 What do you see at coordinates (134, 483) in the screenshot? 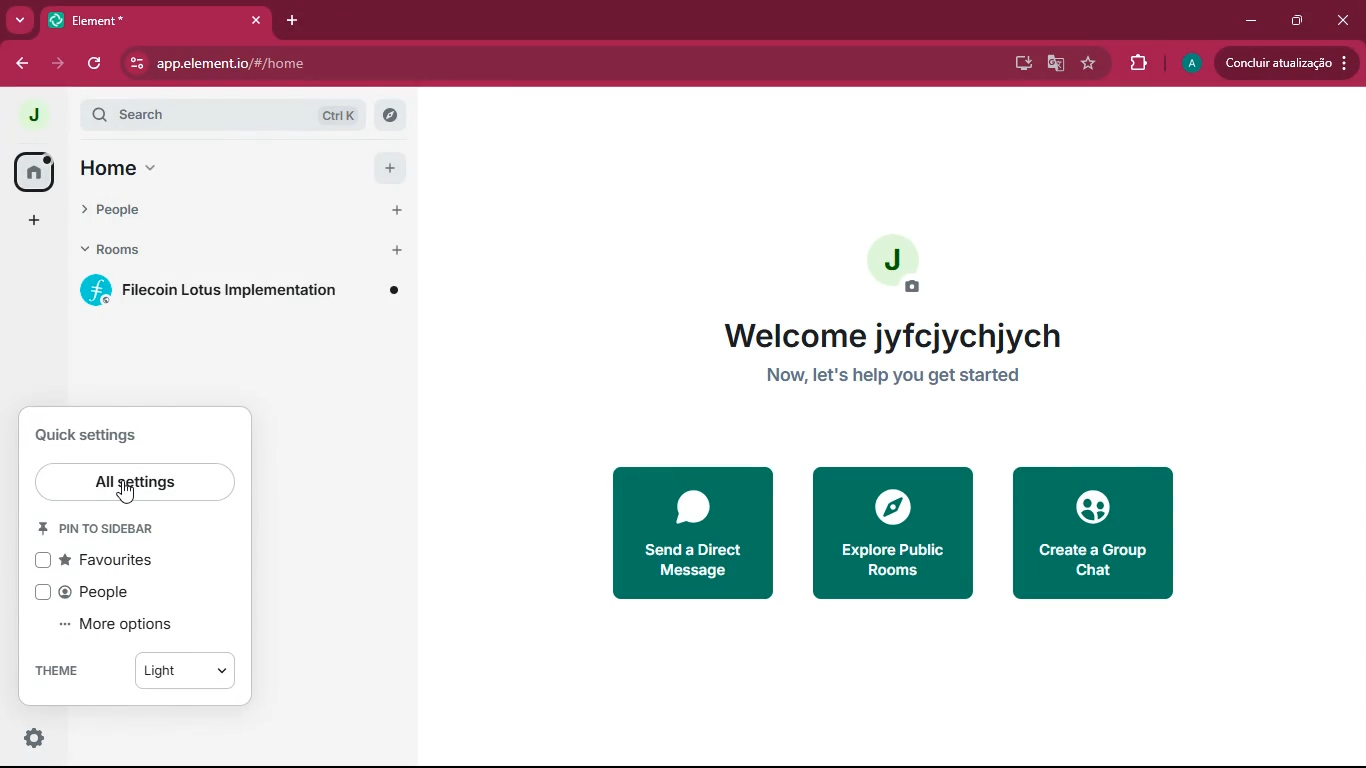
I see `all settings` at bounding box center [134, 483].